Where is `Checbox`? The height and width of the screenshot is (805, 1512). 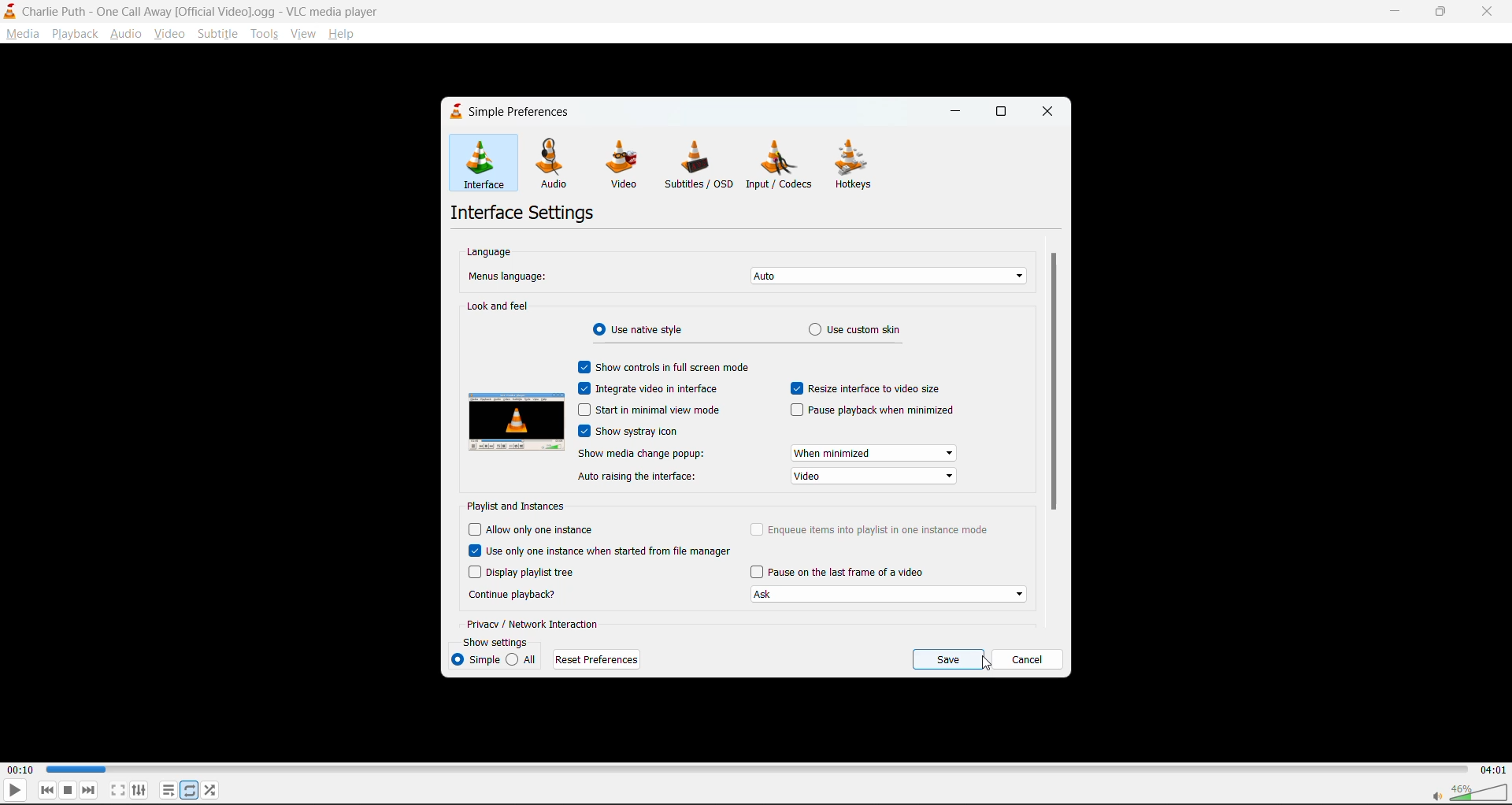
Checbox is located at coordinates (474, 551).